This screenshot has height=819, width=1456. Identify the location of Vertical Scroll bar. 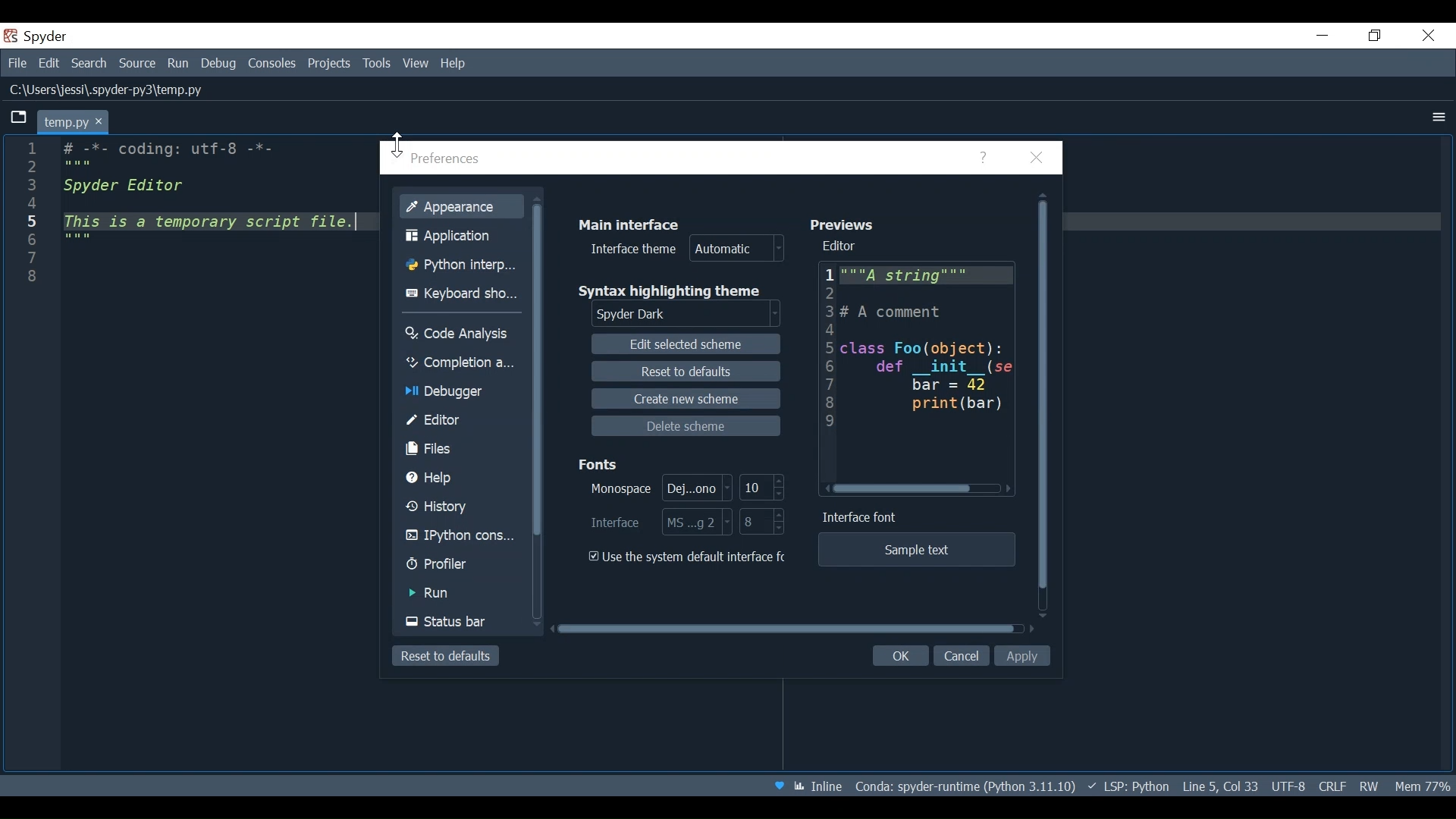
(540, 367).